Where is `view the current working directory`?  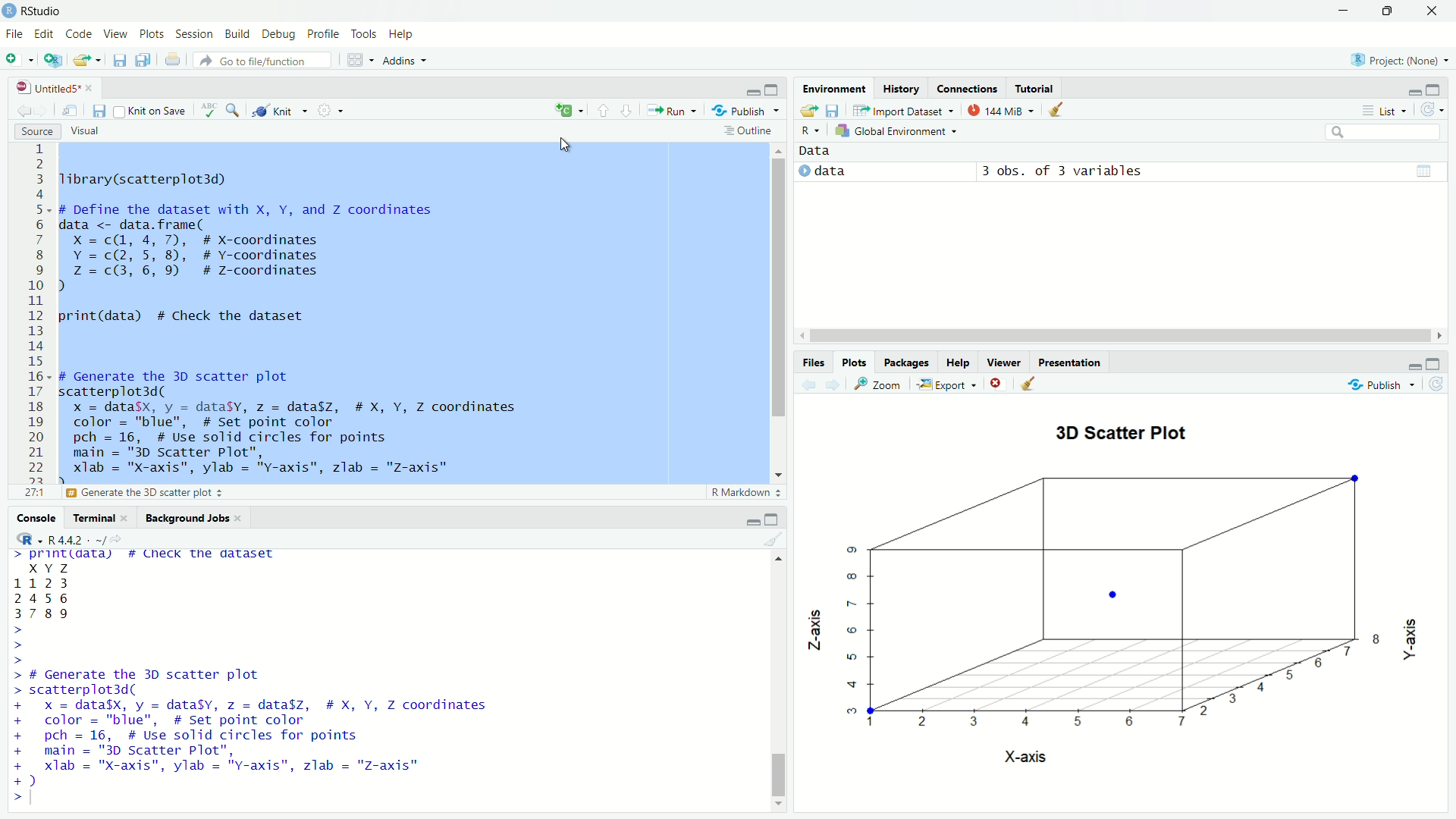
view the current working directory is located at coordinates (126, 539).